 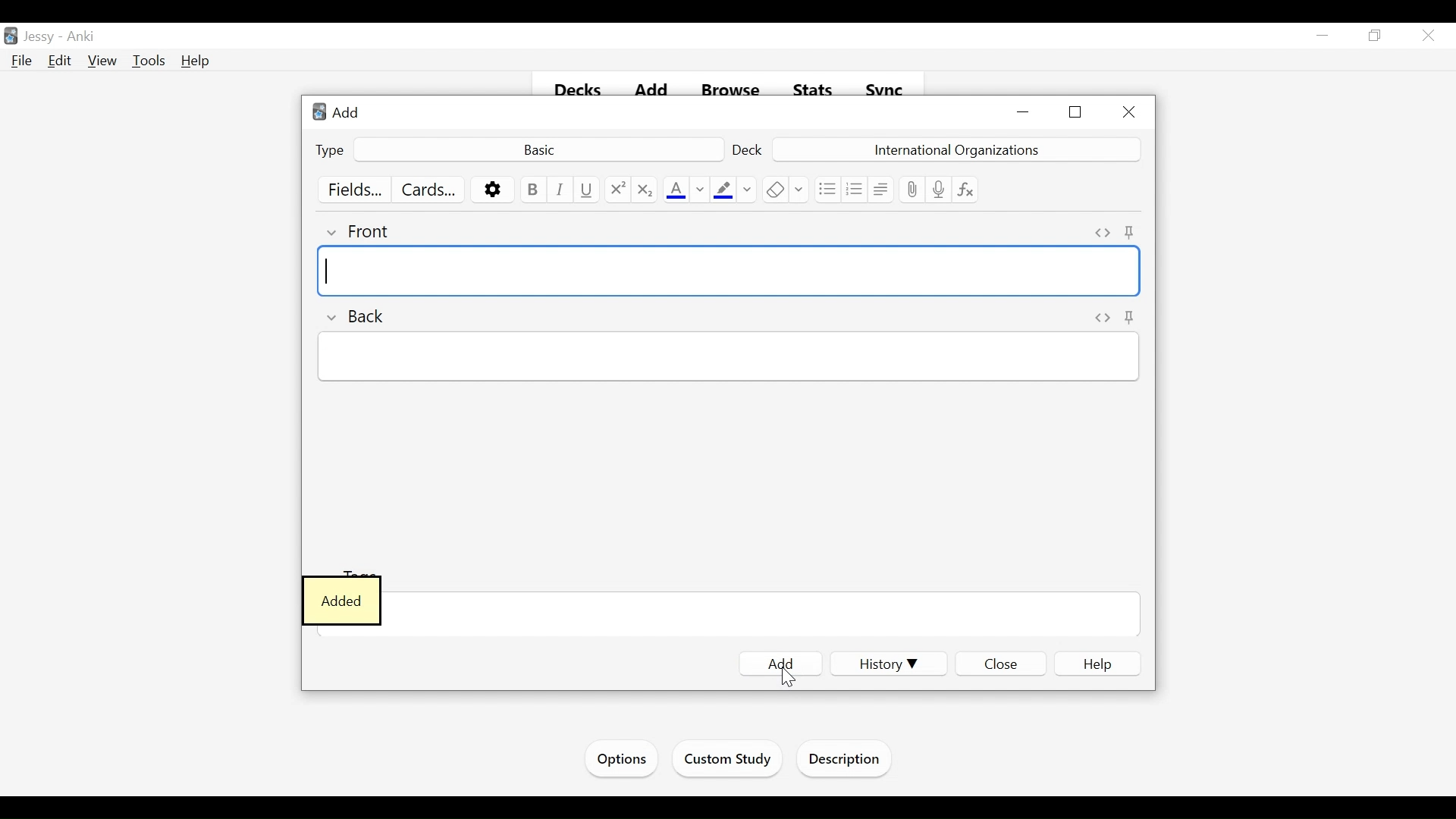 I want to click on minimize, so click(x=1025, y=113).